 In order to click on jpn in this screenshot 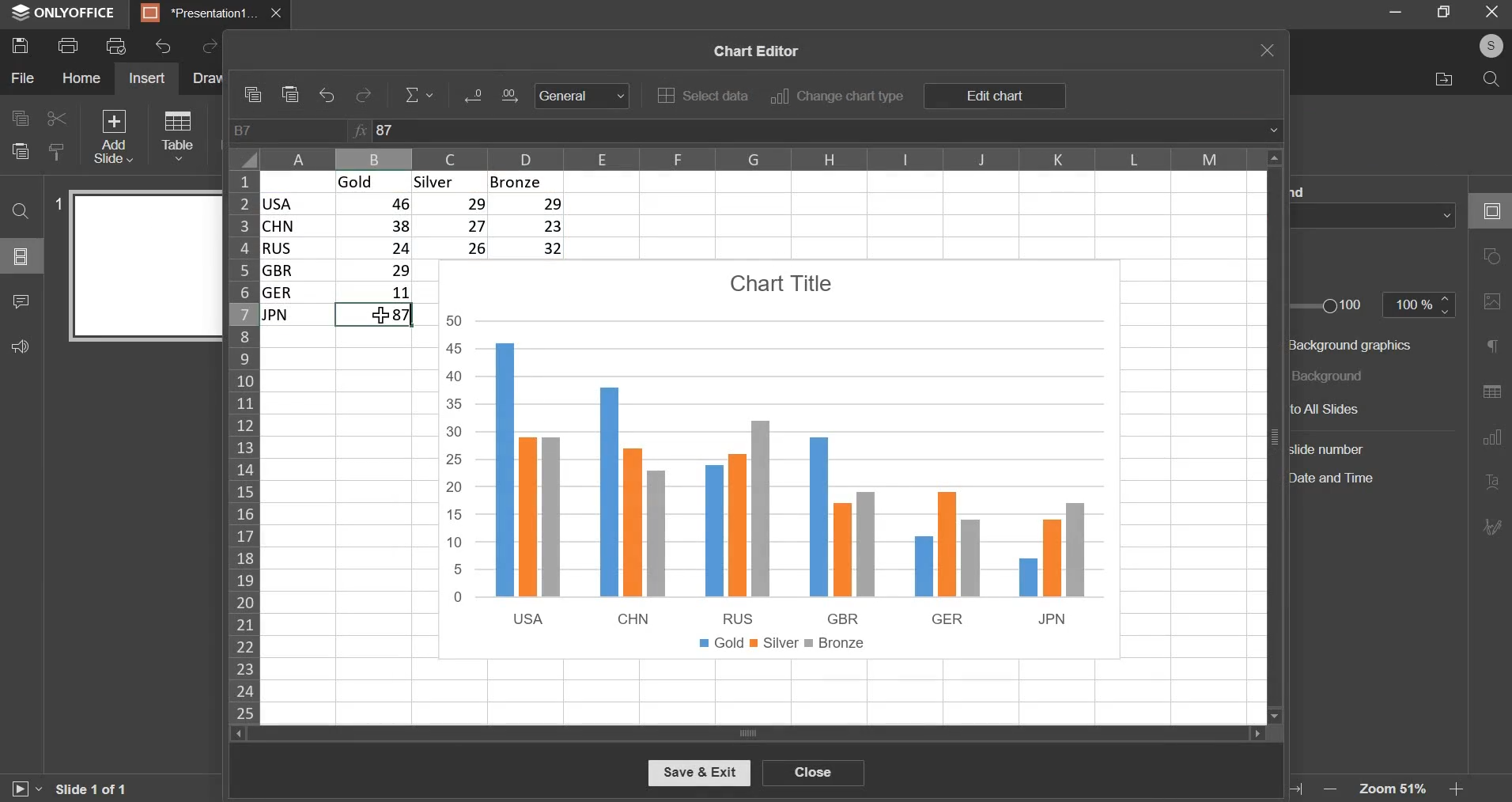, I will do `click(297, 320)`.